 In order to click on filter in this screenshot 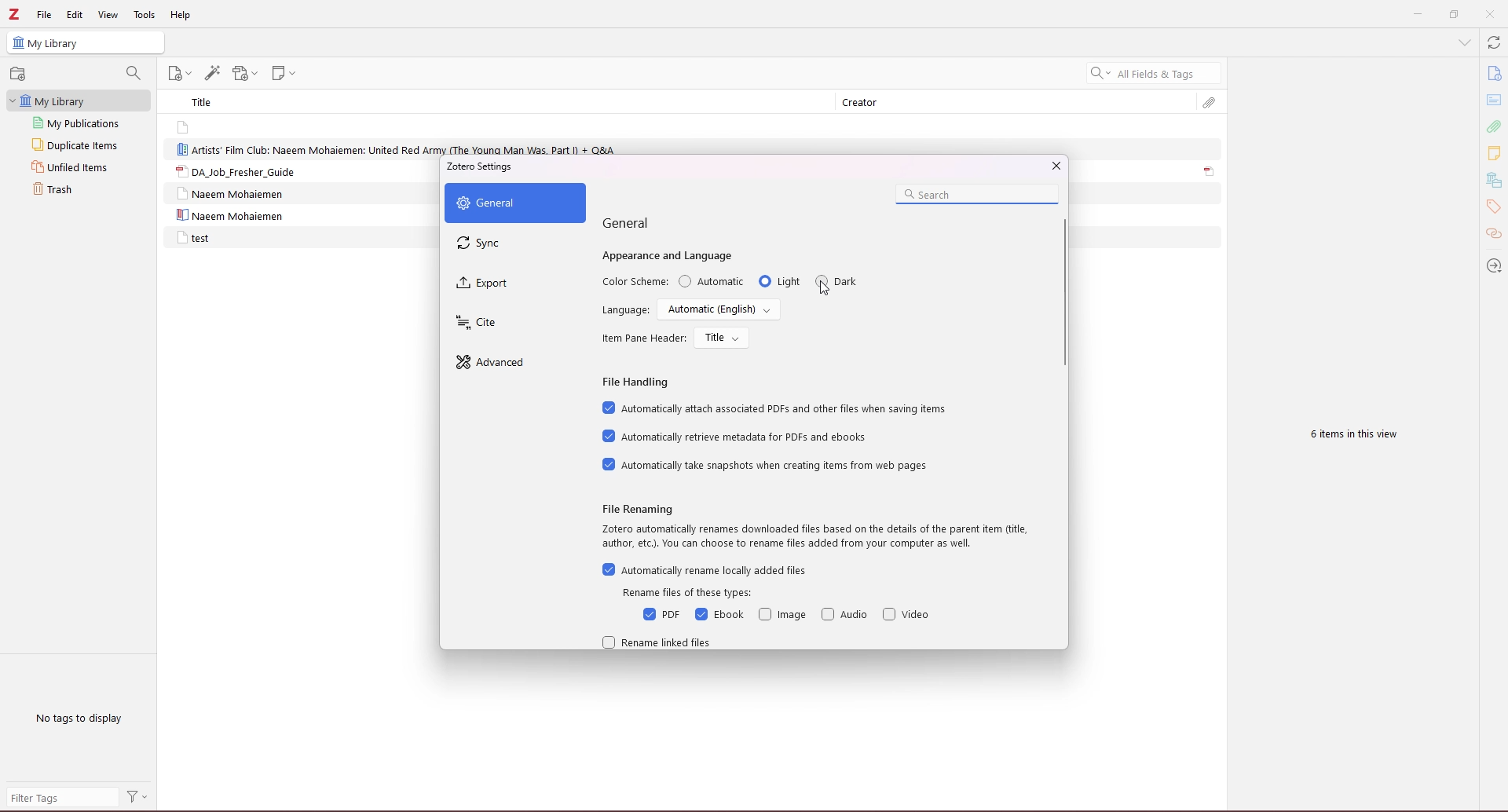, I will do `click(138, 798)`.